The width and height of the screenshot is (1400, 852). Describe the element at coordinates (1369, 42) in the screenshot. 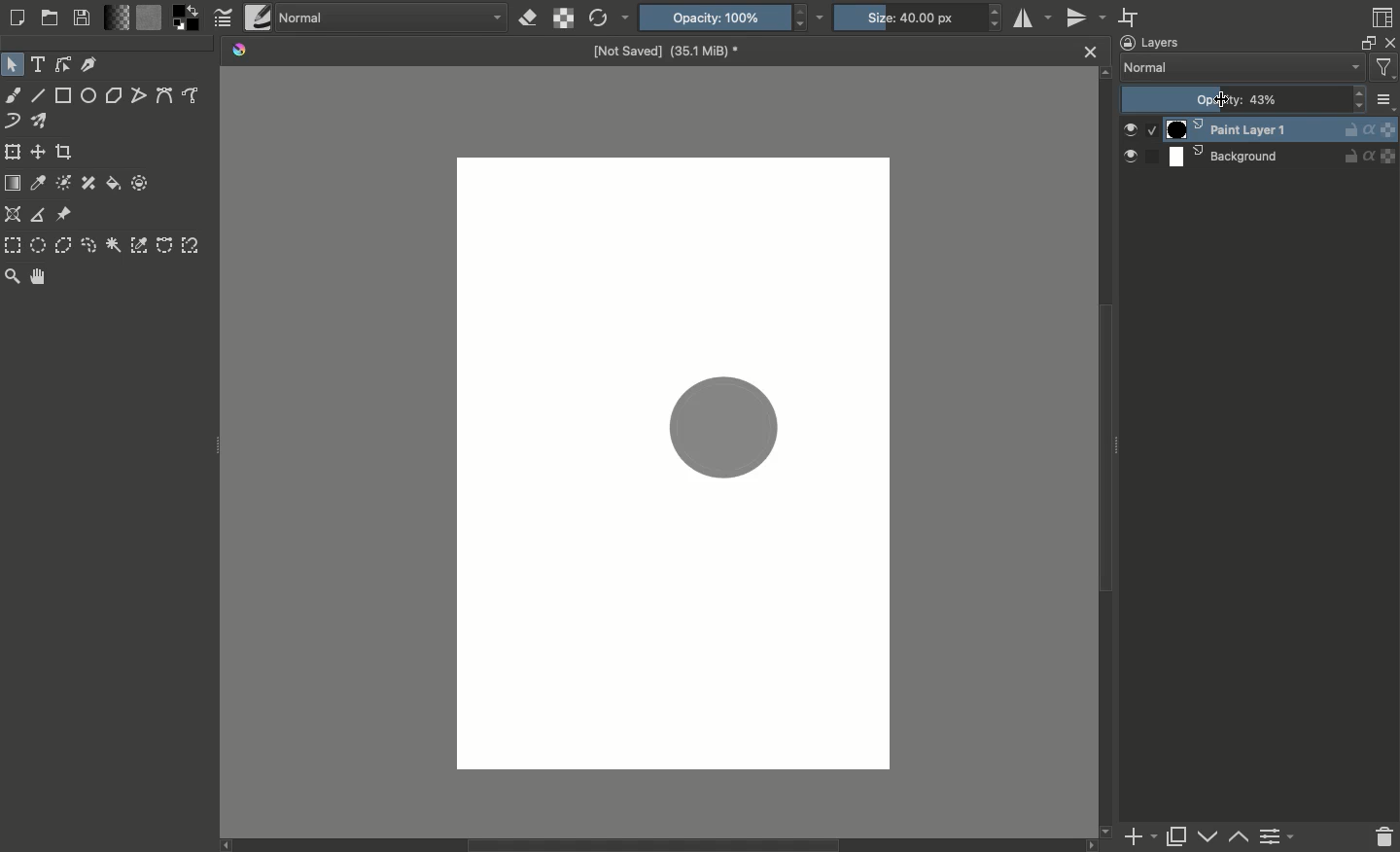

I see `Float docker` at that location.